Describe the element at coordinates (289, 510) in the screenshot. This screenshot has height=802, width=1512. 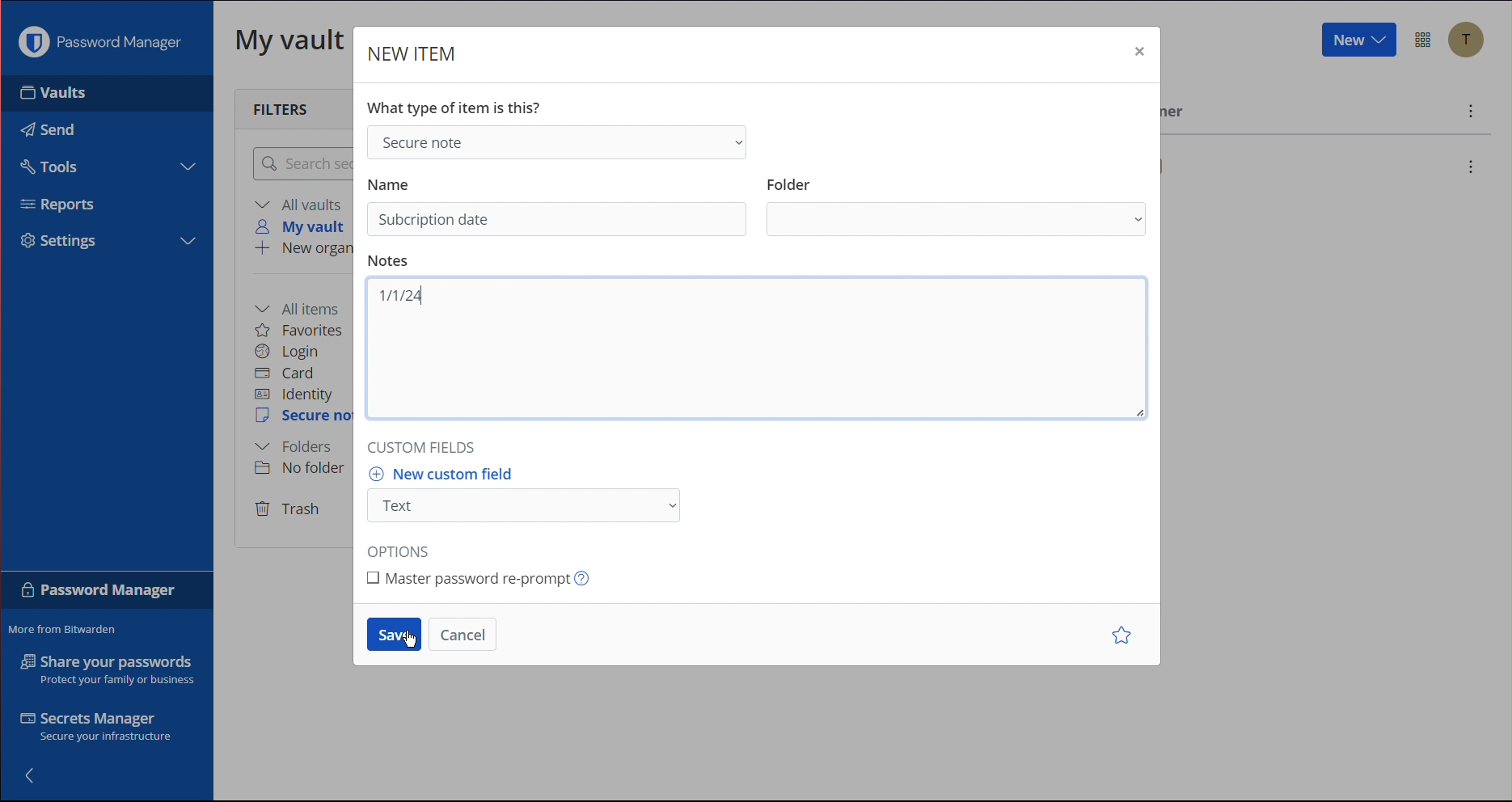
I see `Trash` at that location.